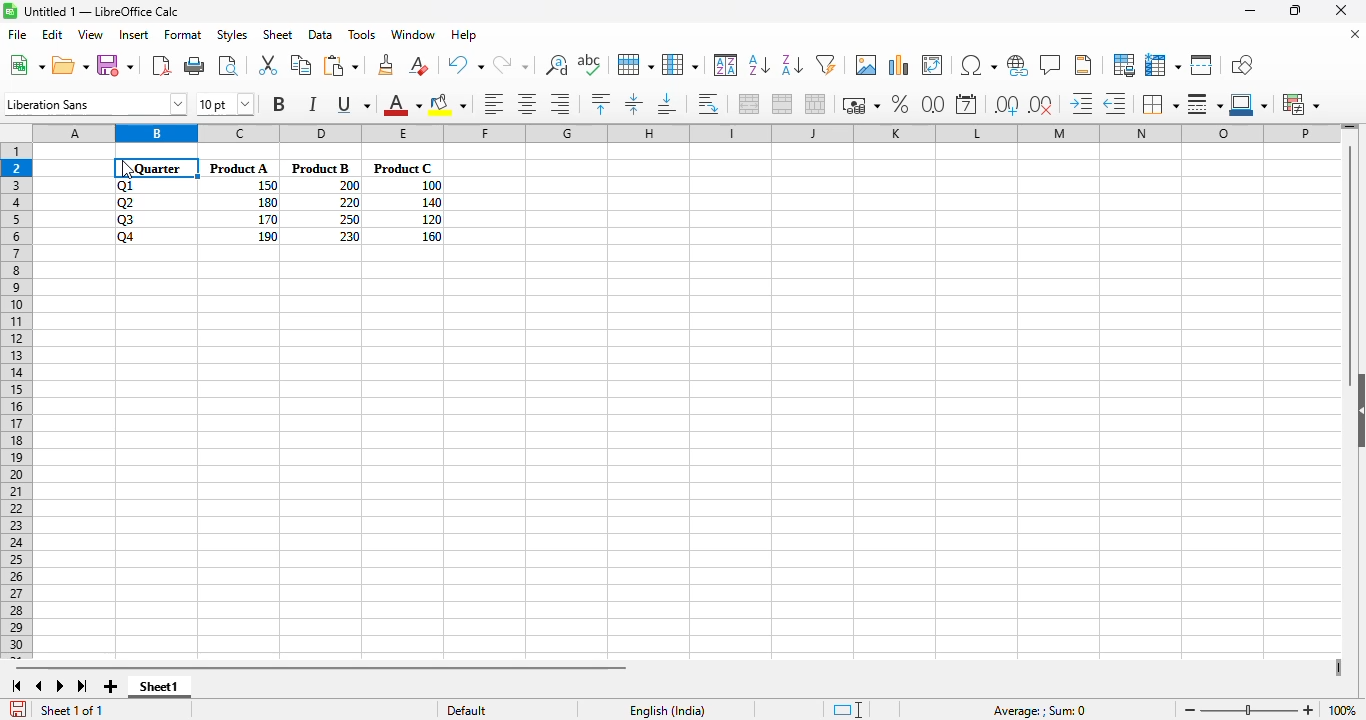  What do you see at coordinates (933, 104) in the screenshot?
I see `format as number` at bounding box center [933, 104].